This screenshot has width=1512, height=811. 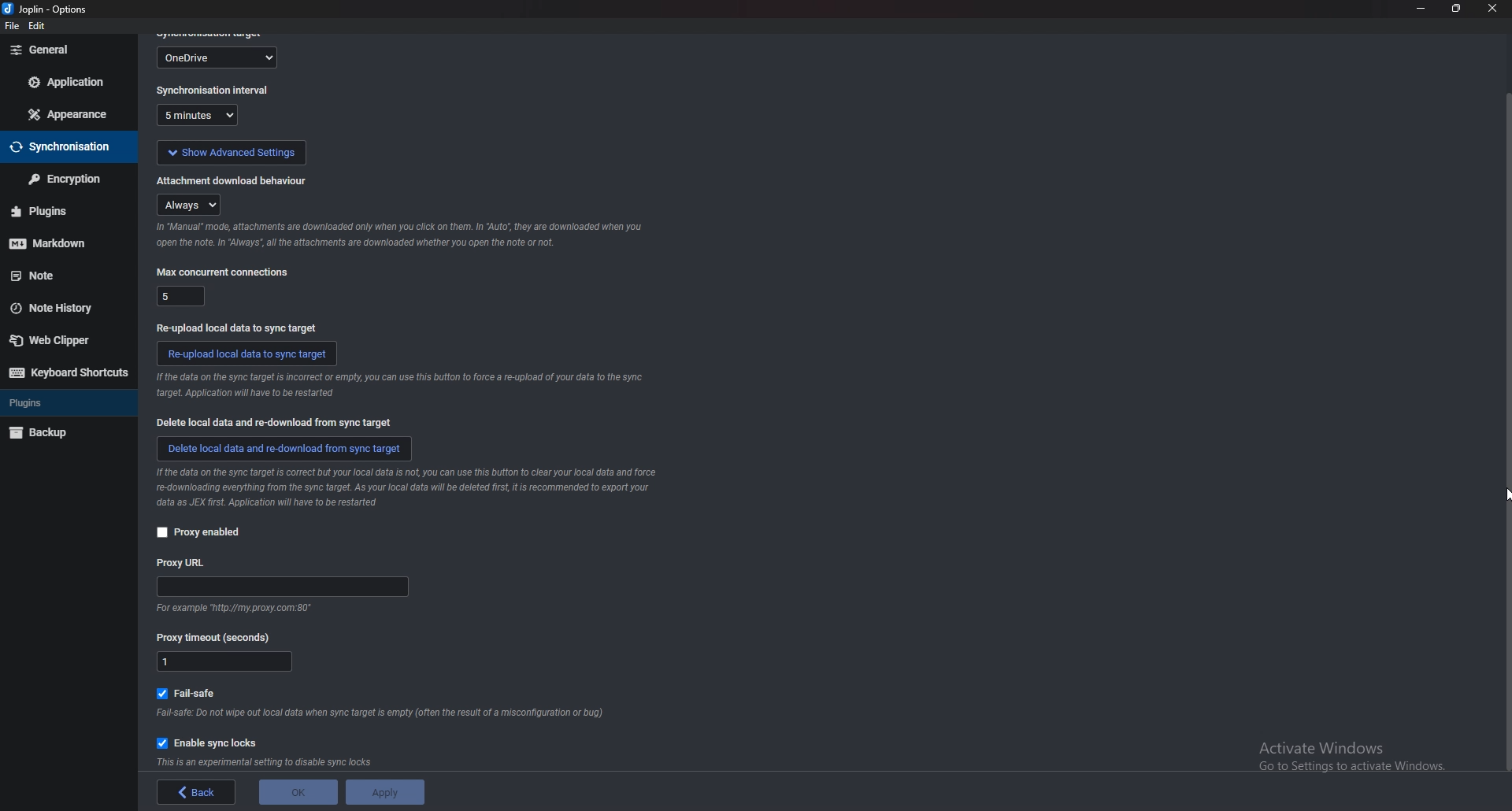 What do you see at coordinates (57, 245) in the screenshot?
I see `markdown` at bounding box center [57, 245].